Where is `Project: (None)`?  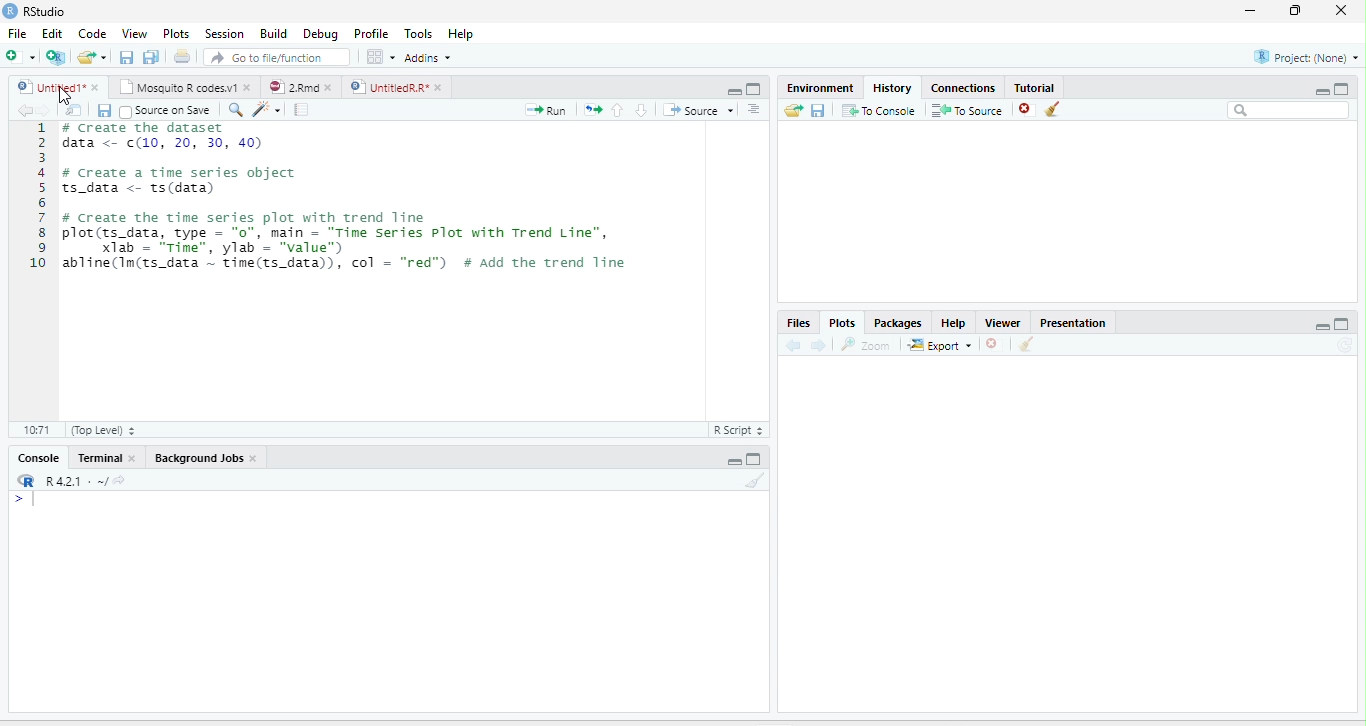 Project: (None) is located at coordinates (1304, 57).